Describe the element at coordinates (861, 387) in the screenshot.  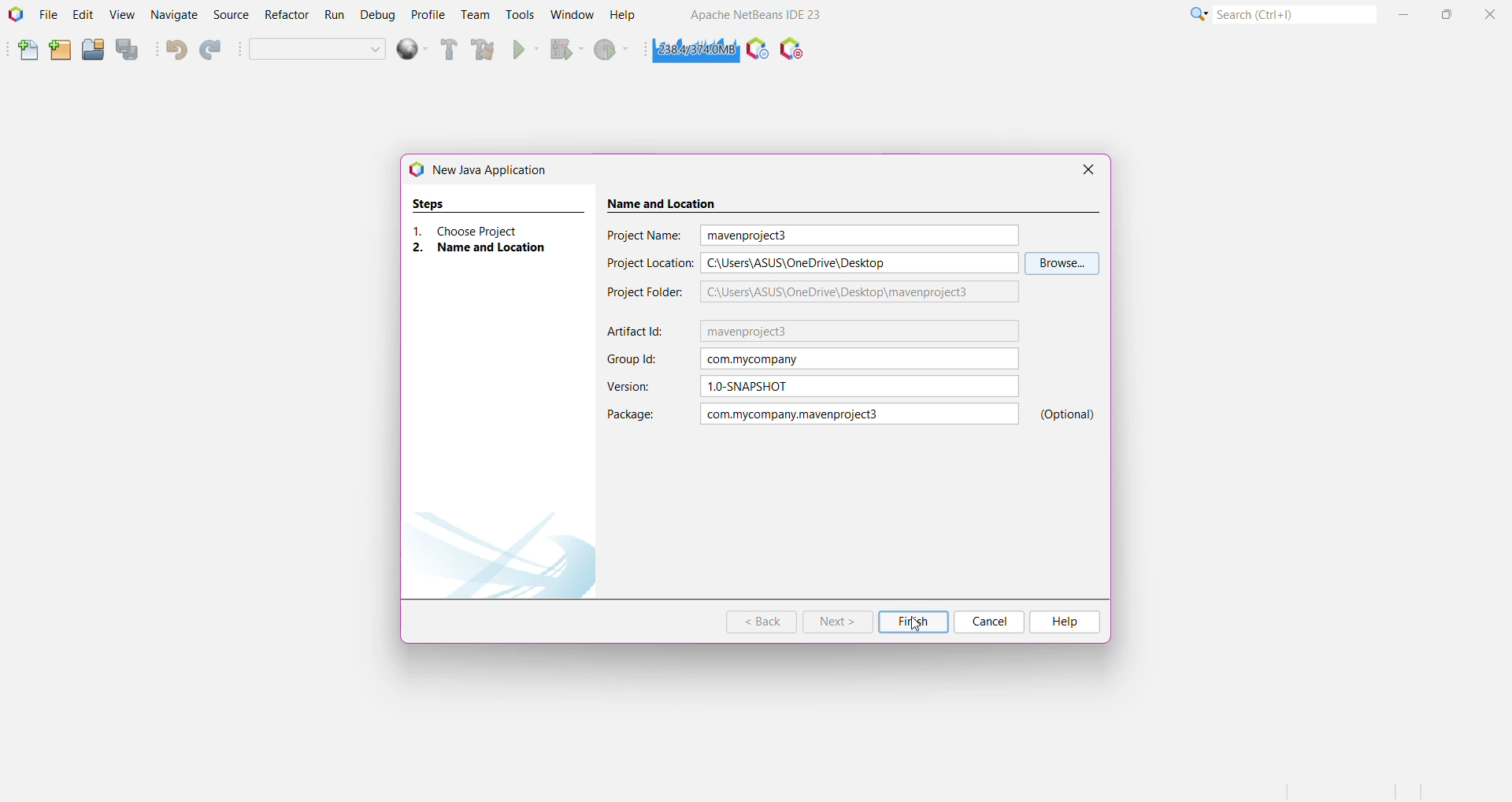
I see `Selected Version Name` at that location.